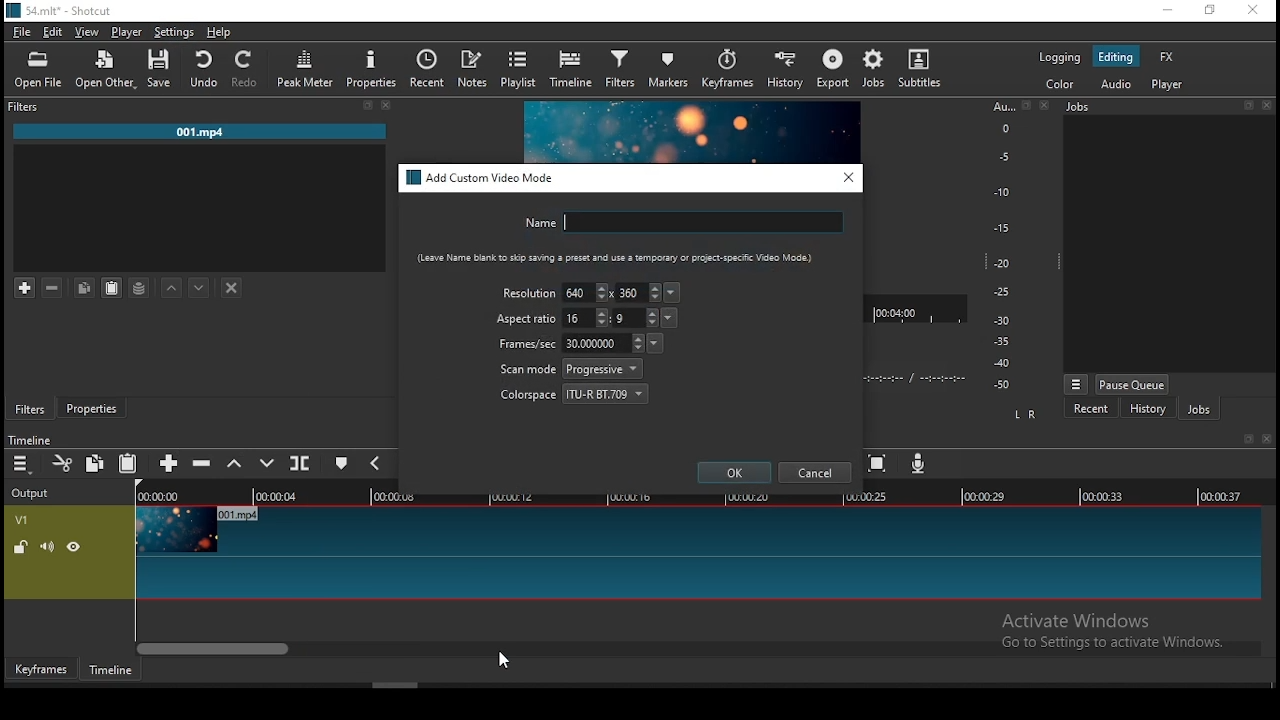  Describe the element at coordinates (20, 520) in the screenshot. I see `V1` at that location.